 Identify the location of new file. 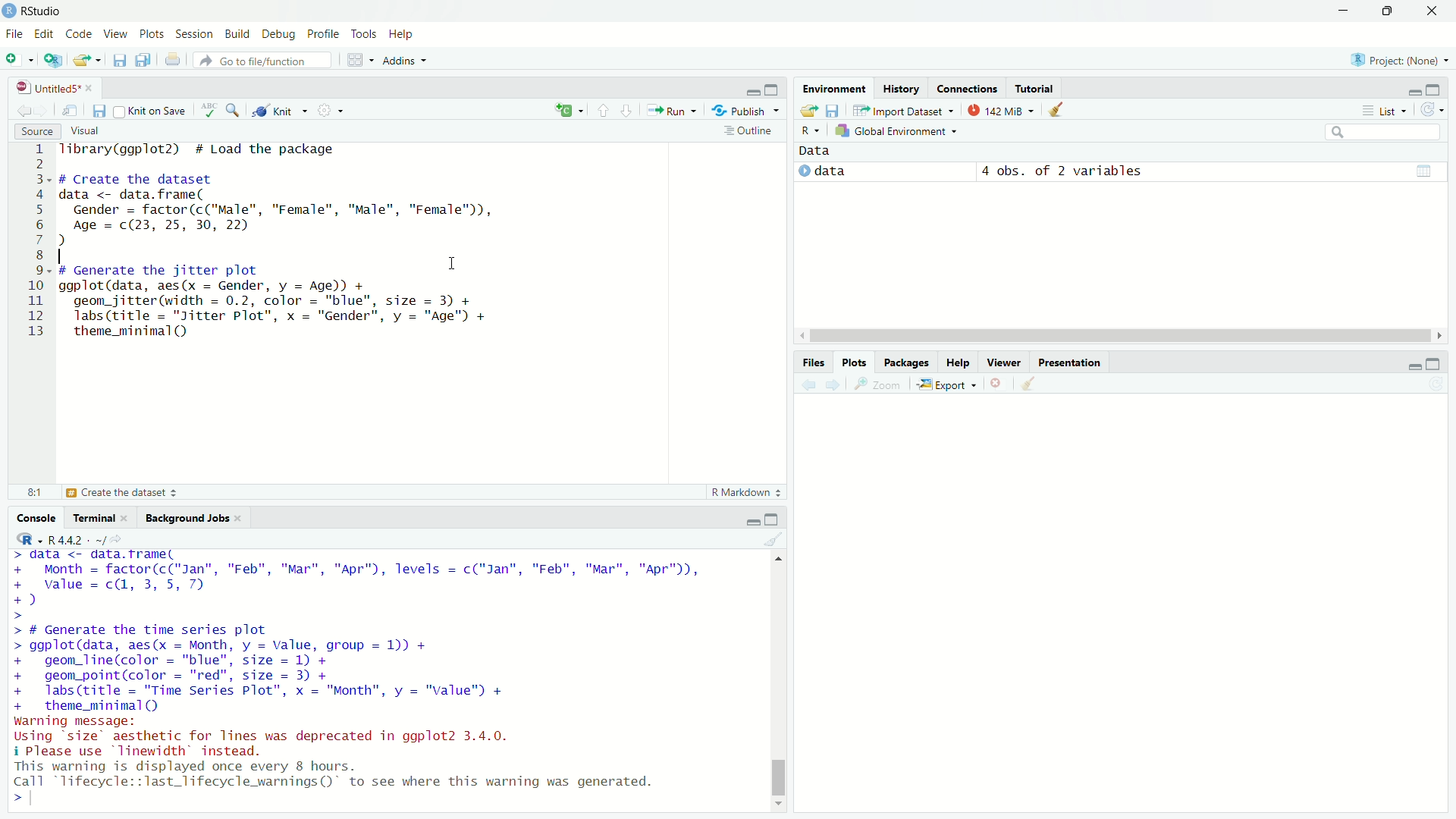
(18, 58).